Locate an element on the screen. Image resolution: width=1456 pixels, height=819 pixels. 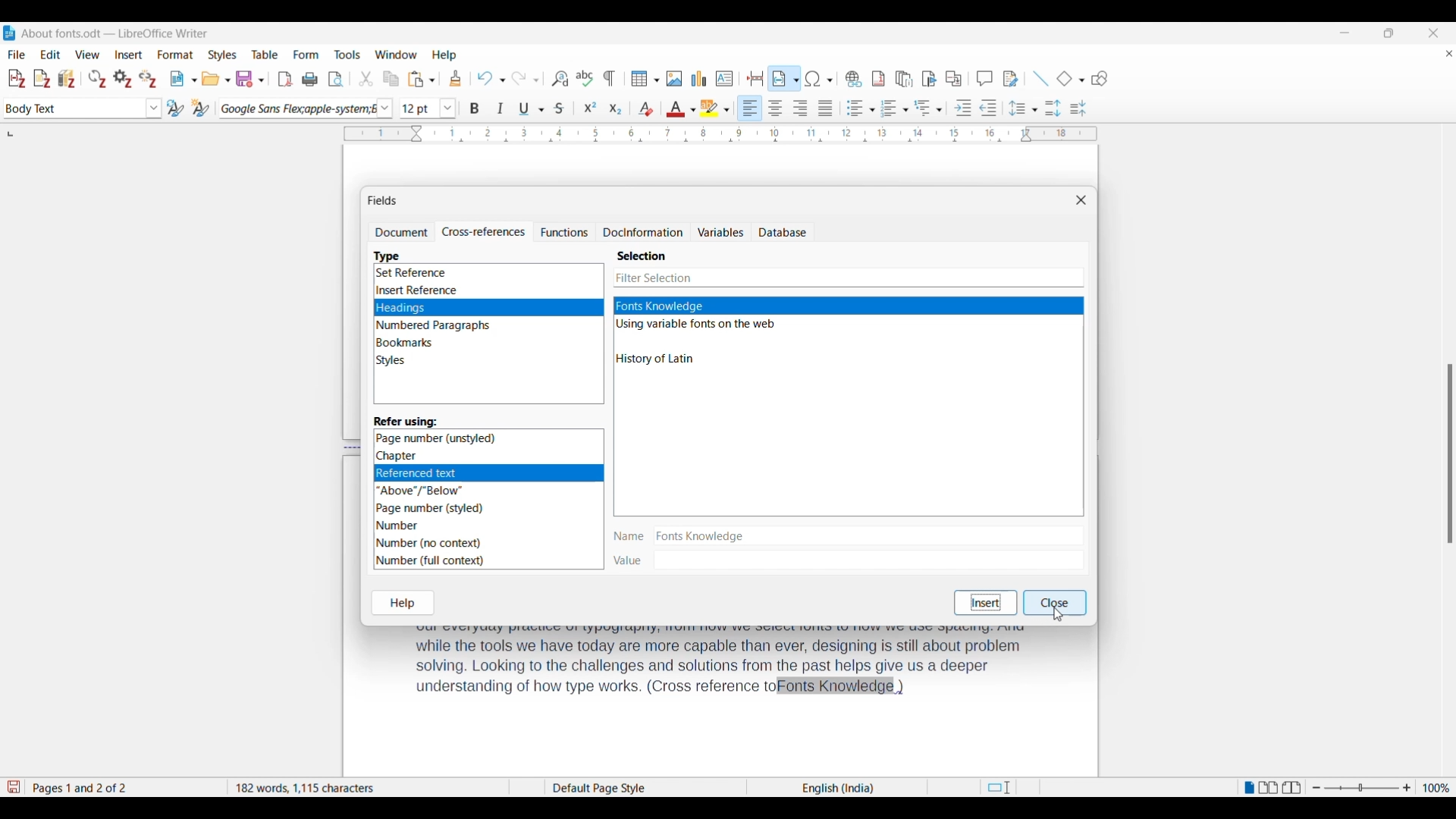
Set document preferences is located at coordinates (123, 79).